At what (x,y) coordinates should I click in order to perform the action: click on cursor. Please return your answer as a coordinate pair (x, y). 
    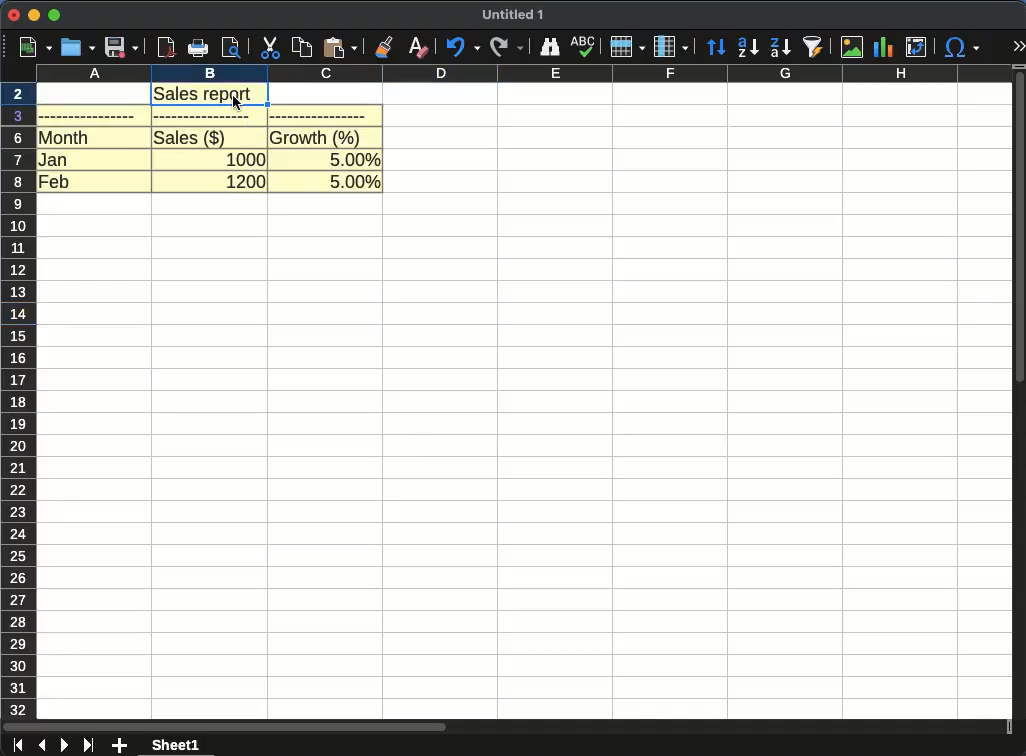
    Looking at the image, I should click on (238, 104).